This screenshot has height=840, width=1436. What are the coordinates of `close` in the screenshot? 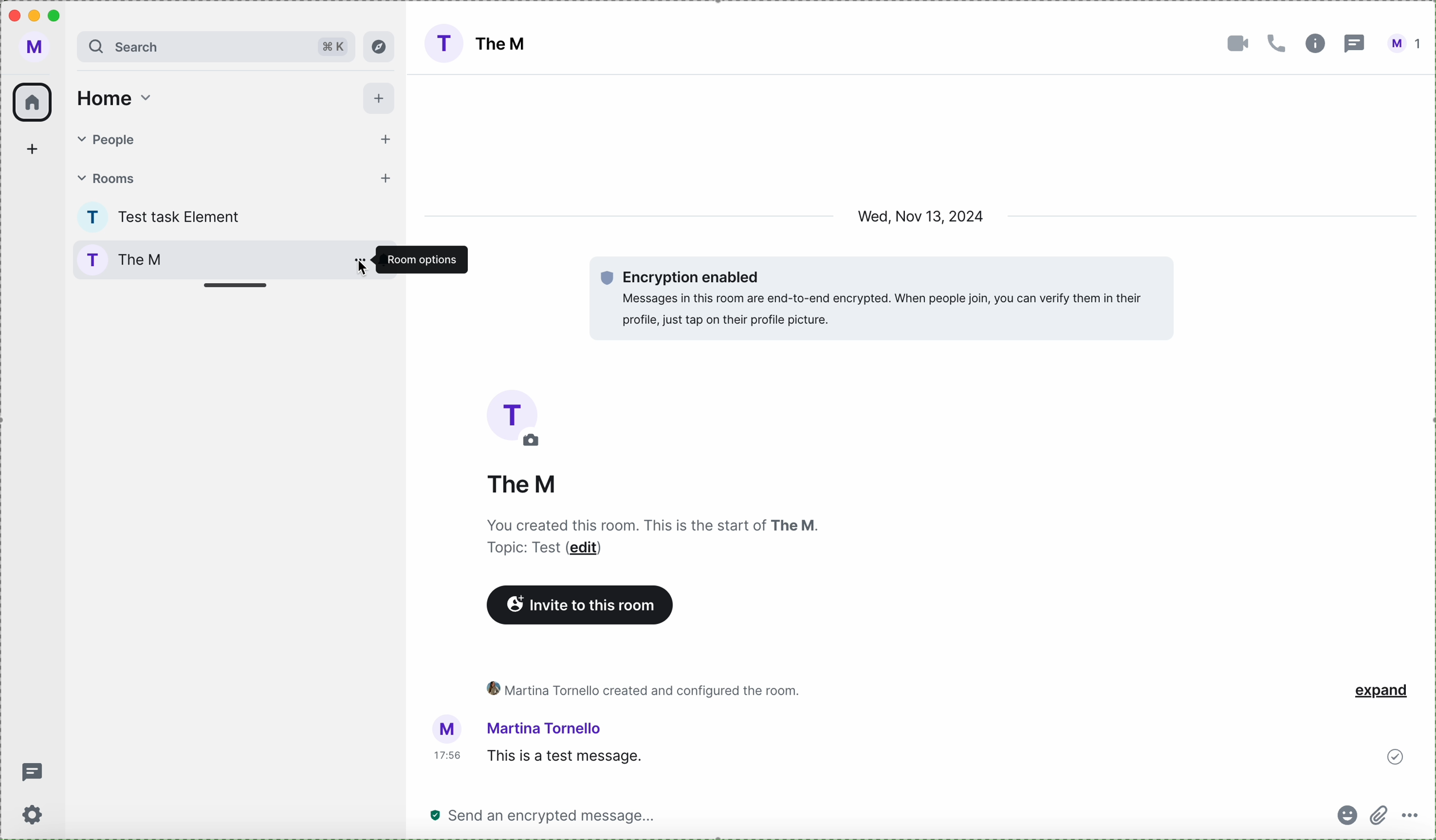 It's located at (13, 17).